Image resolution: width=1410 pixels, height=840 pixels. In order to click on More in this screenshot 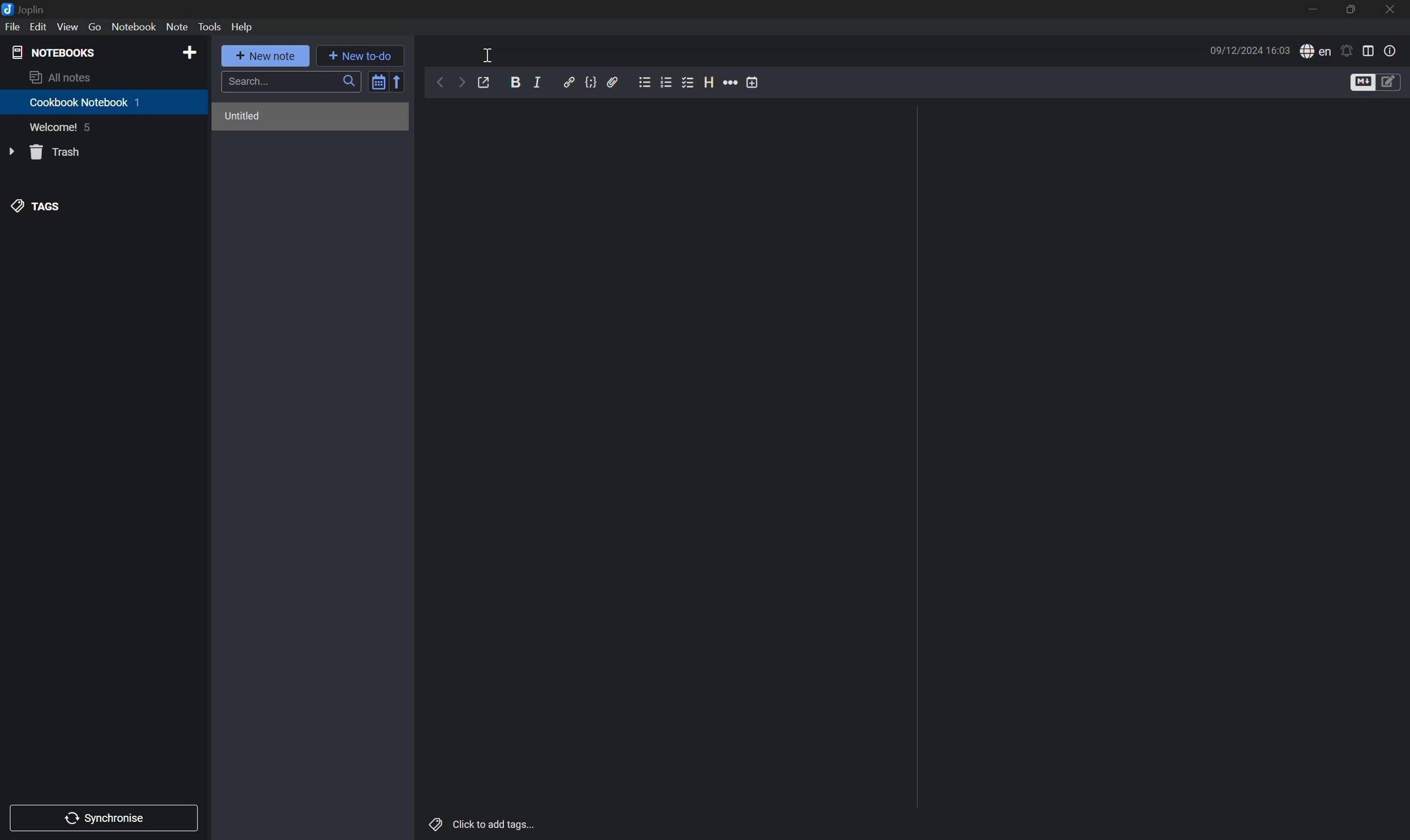, I will do `click(732, 81)`.